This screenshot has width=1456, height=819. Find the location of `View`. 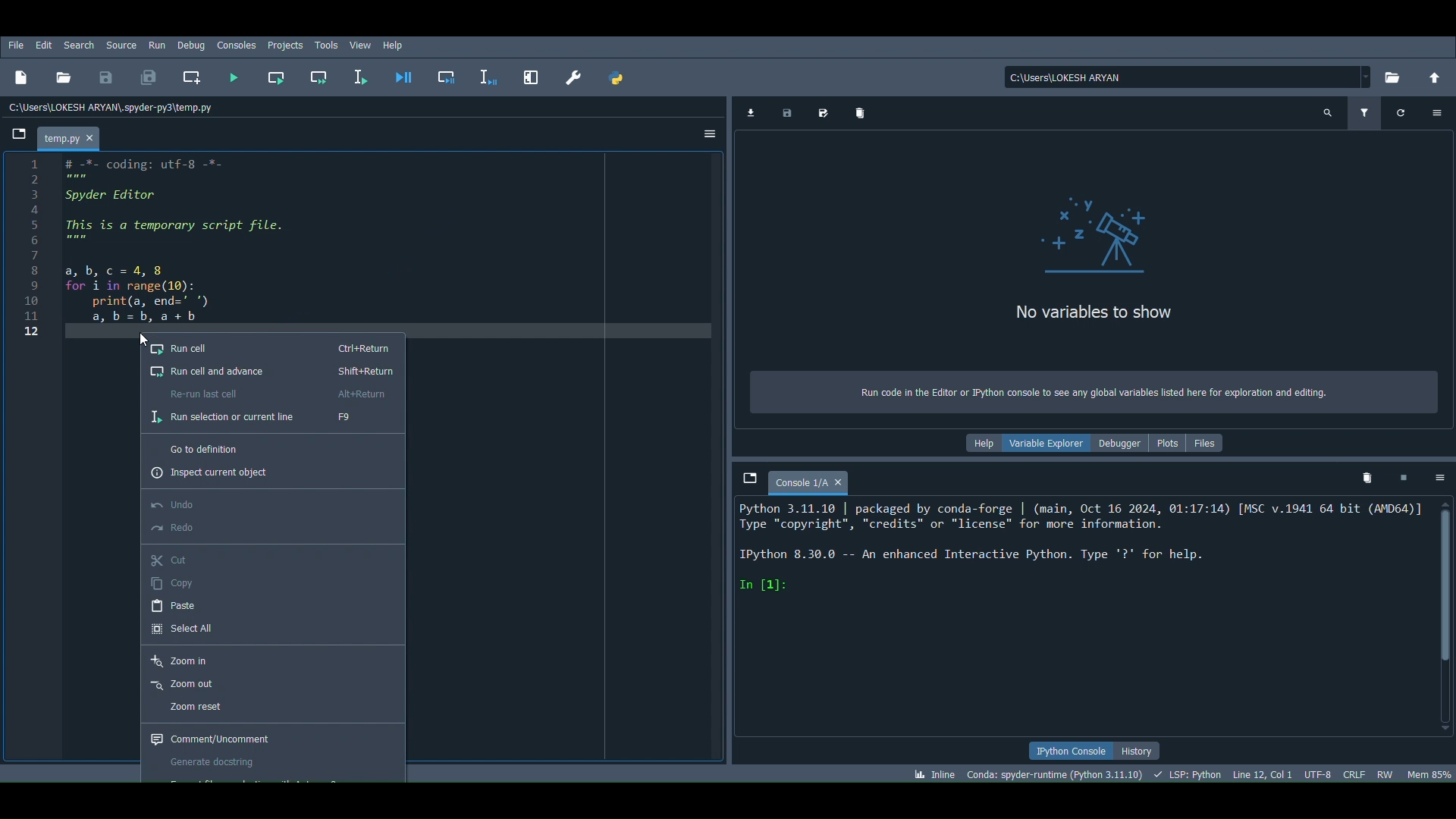

View is located at coordinates (361, 45).